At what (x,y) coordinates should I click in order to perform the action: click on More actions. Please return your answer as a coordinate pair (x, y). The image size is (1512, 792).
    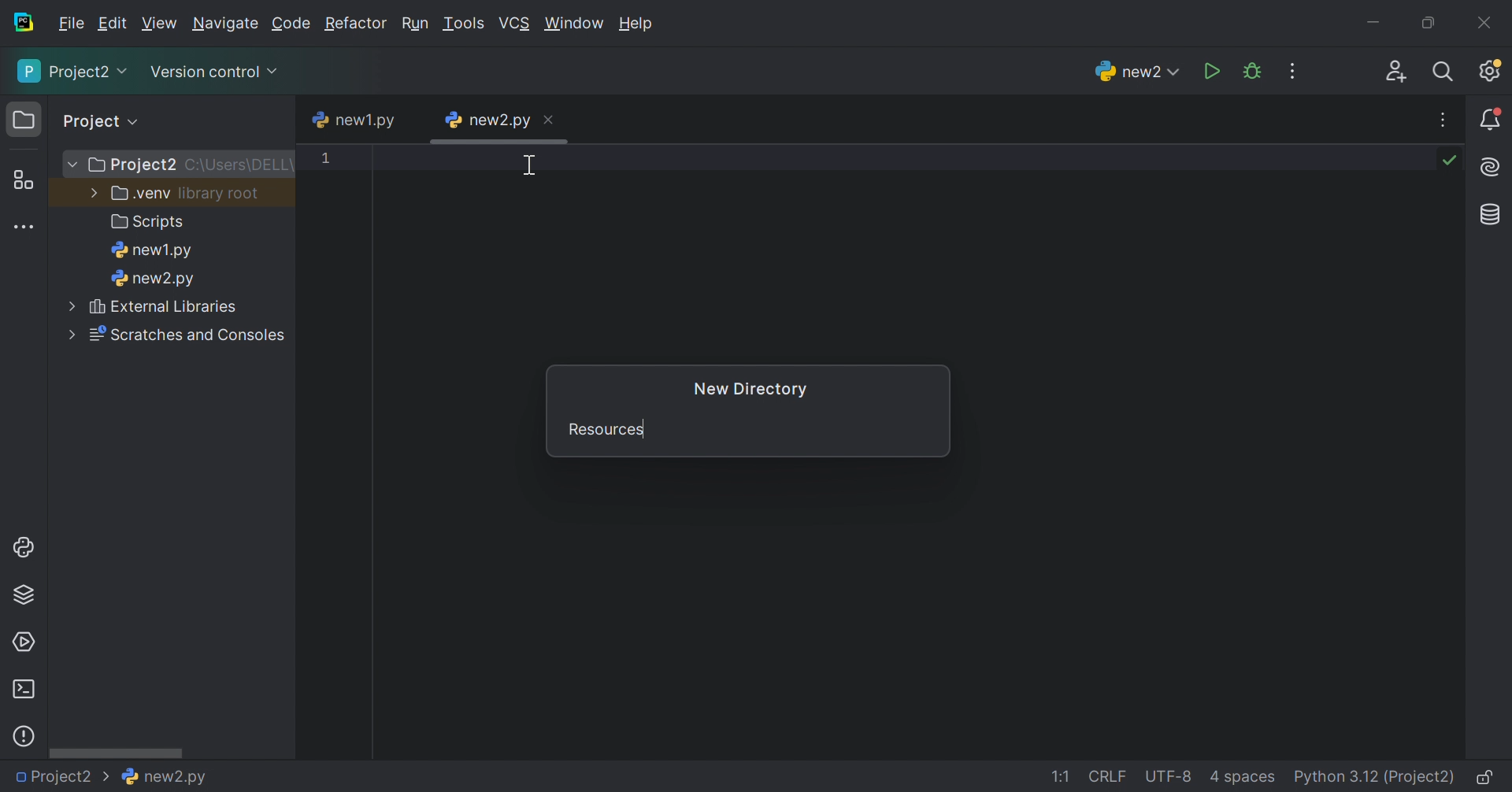
    Looking at the image, I should click on (1291, 72).